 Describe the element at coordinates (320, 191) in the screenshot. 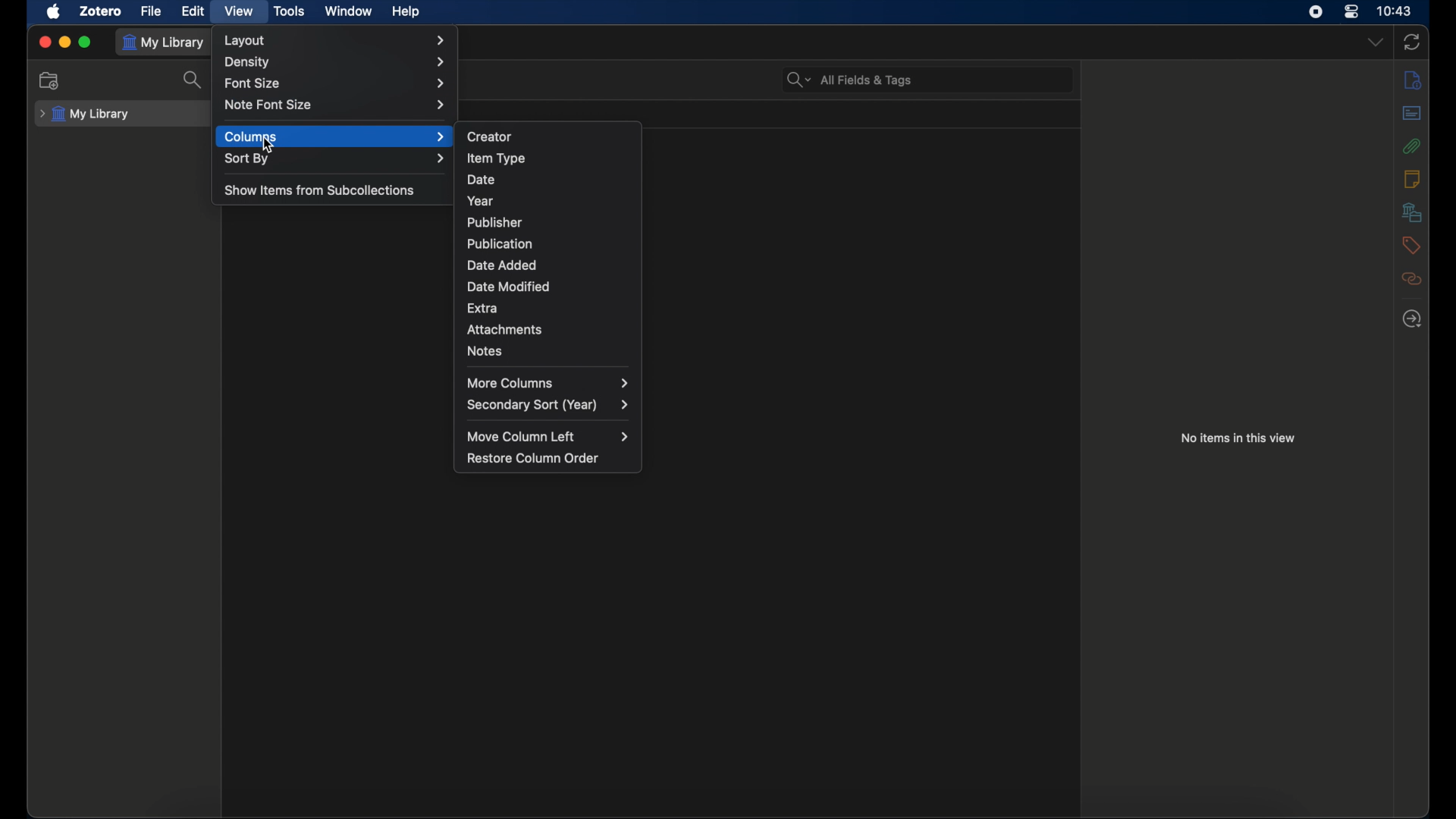

I see `show items from subcollections` at that location.